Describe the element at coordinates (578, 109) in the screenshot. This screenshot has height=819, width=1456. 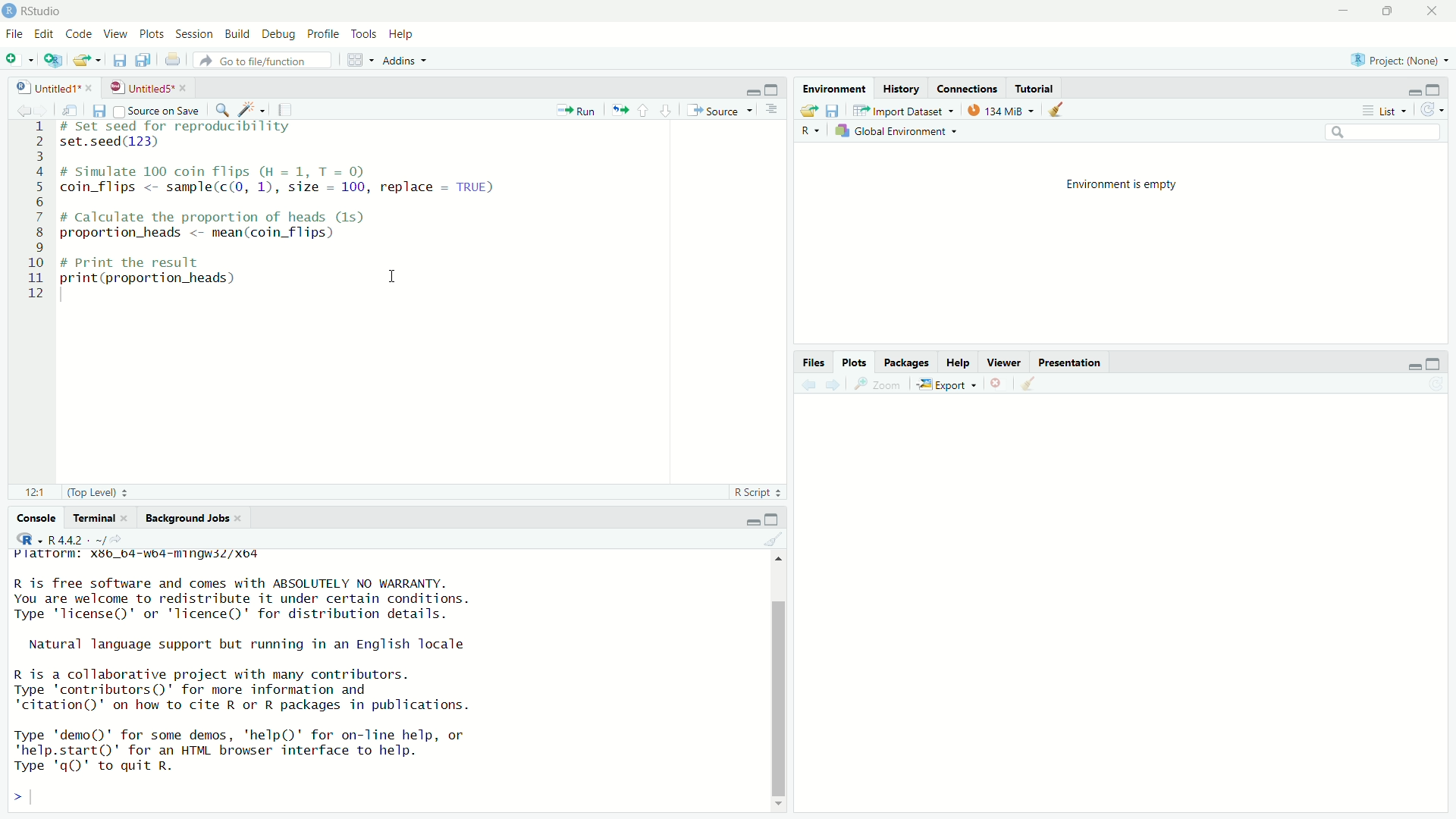
I see `run the current line or selection` at that location.